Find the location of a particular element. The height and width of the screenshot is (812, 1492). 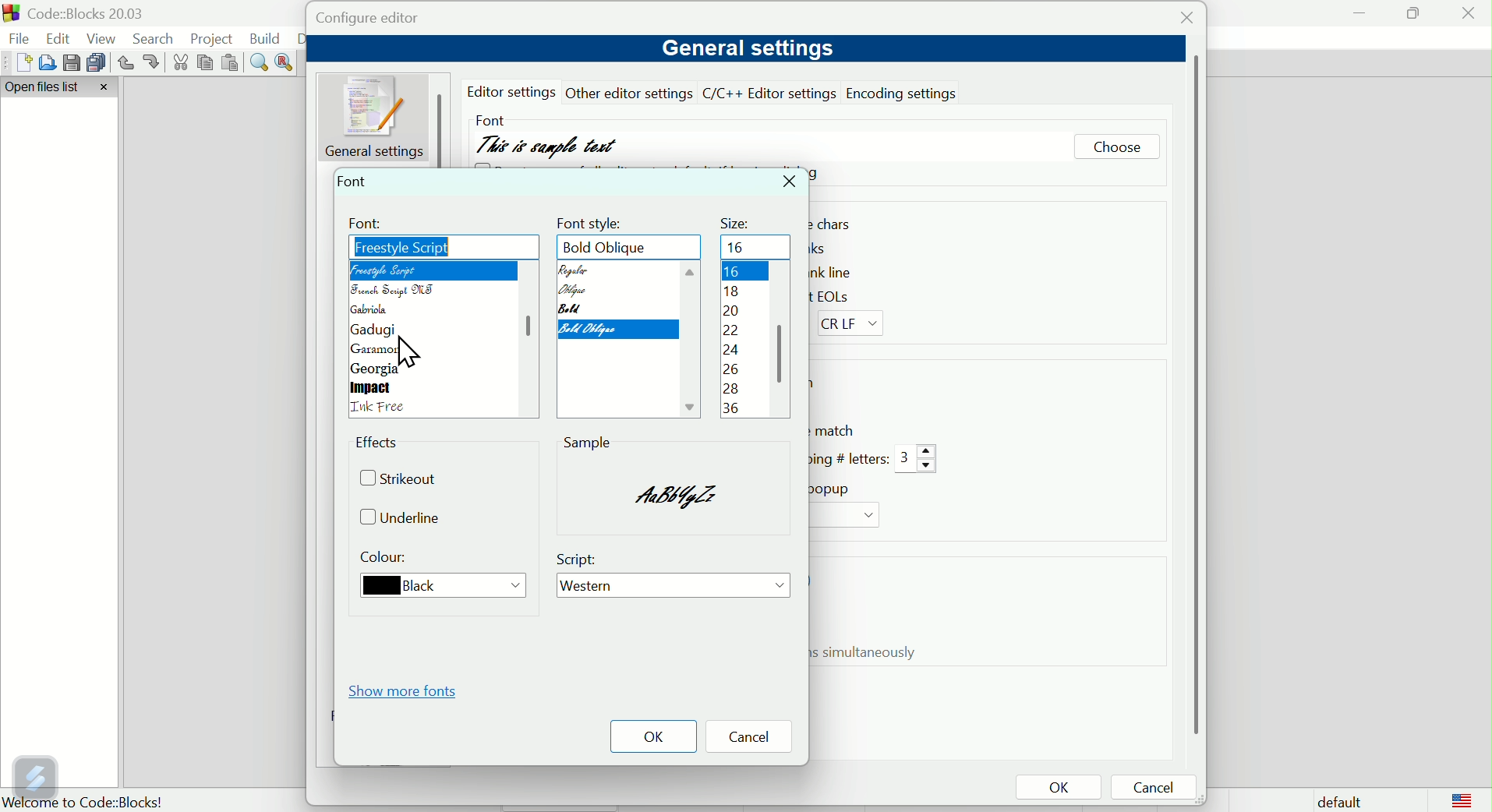

redo is located at coordinates (153, 62).